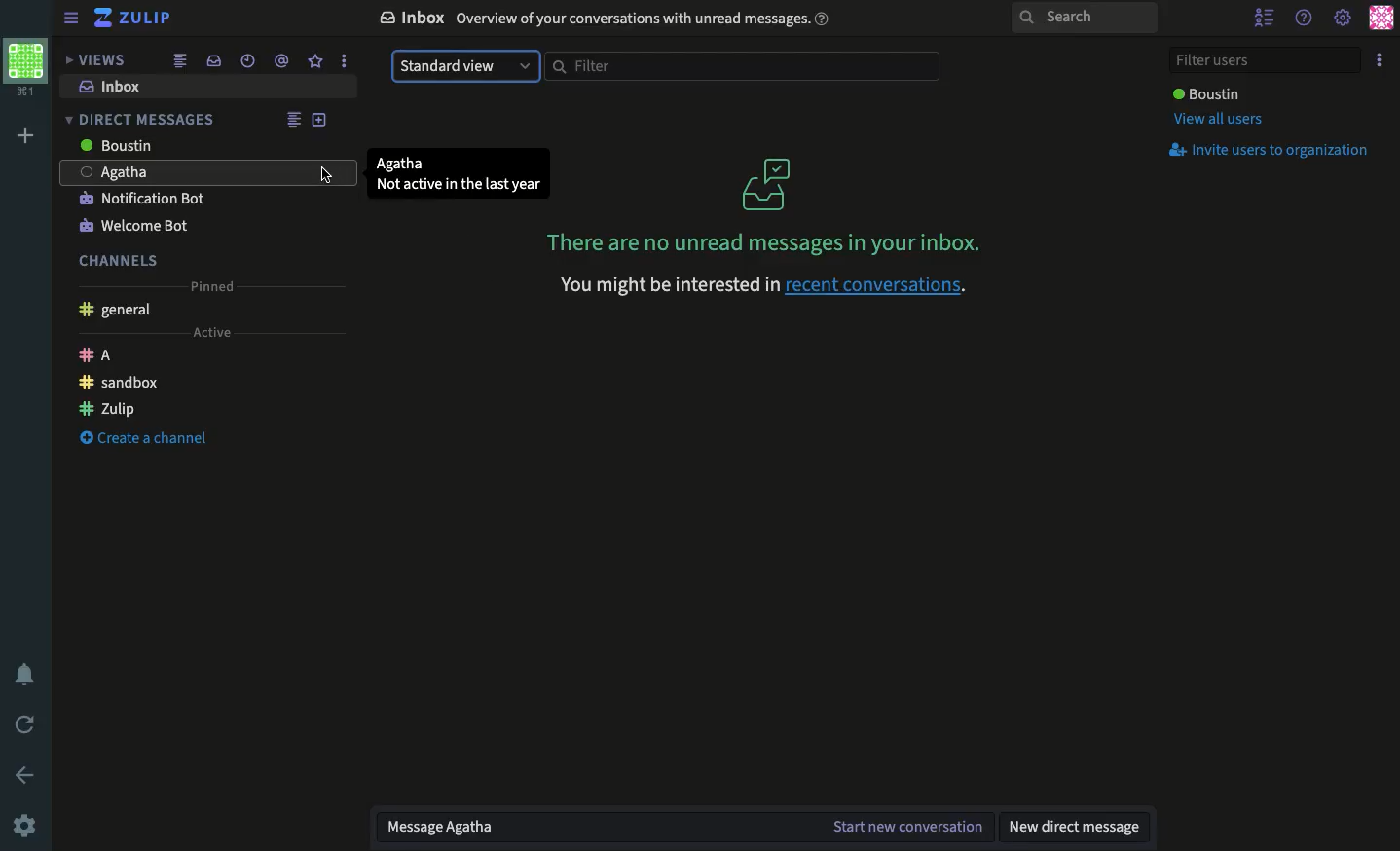 Image resolution: width=1400 pixels, height=851 pixels. Describe the element at coordinates (125, 382) in the screenshot. I see `Sandbox` at that location.